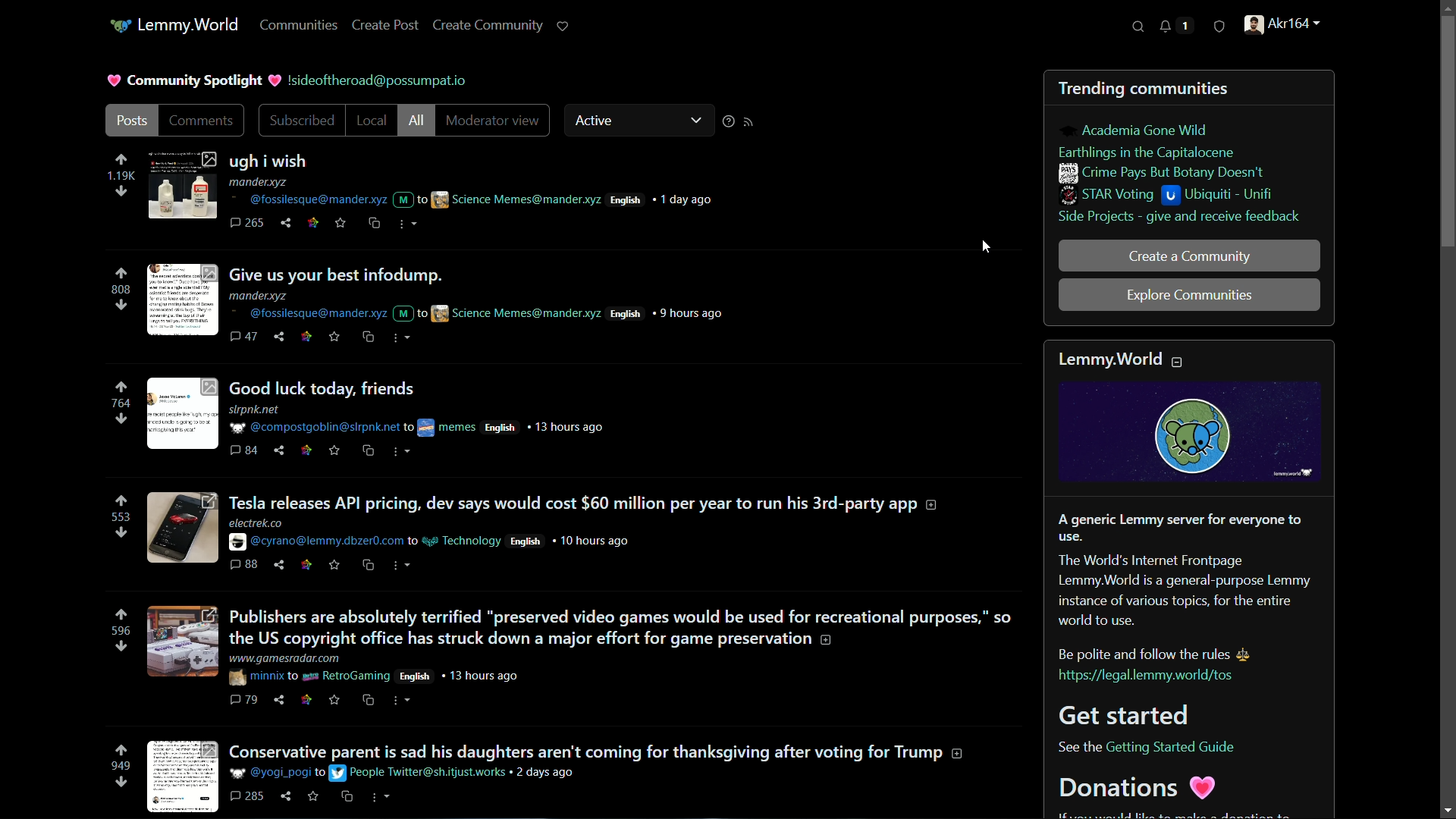 This screenshot has height=819, width=1456. I want to click on retrogaming, so click(347, 677).